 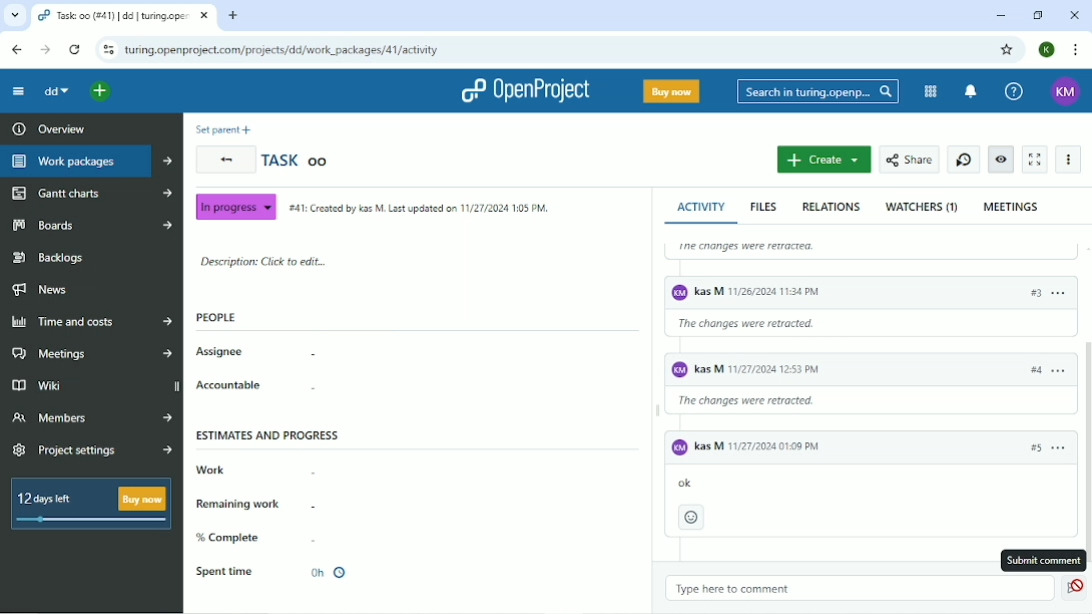 I want to click on The changes were retracted, so click(x=762, y=329).